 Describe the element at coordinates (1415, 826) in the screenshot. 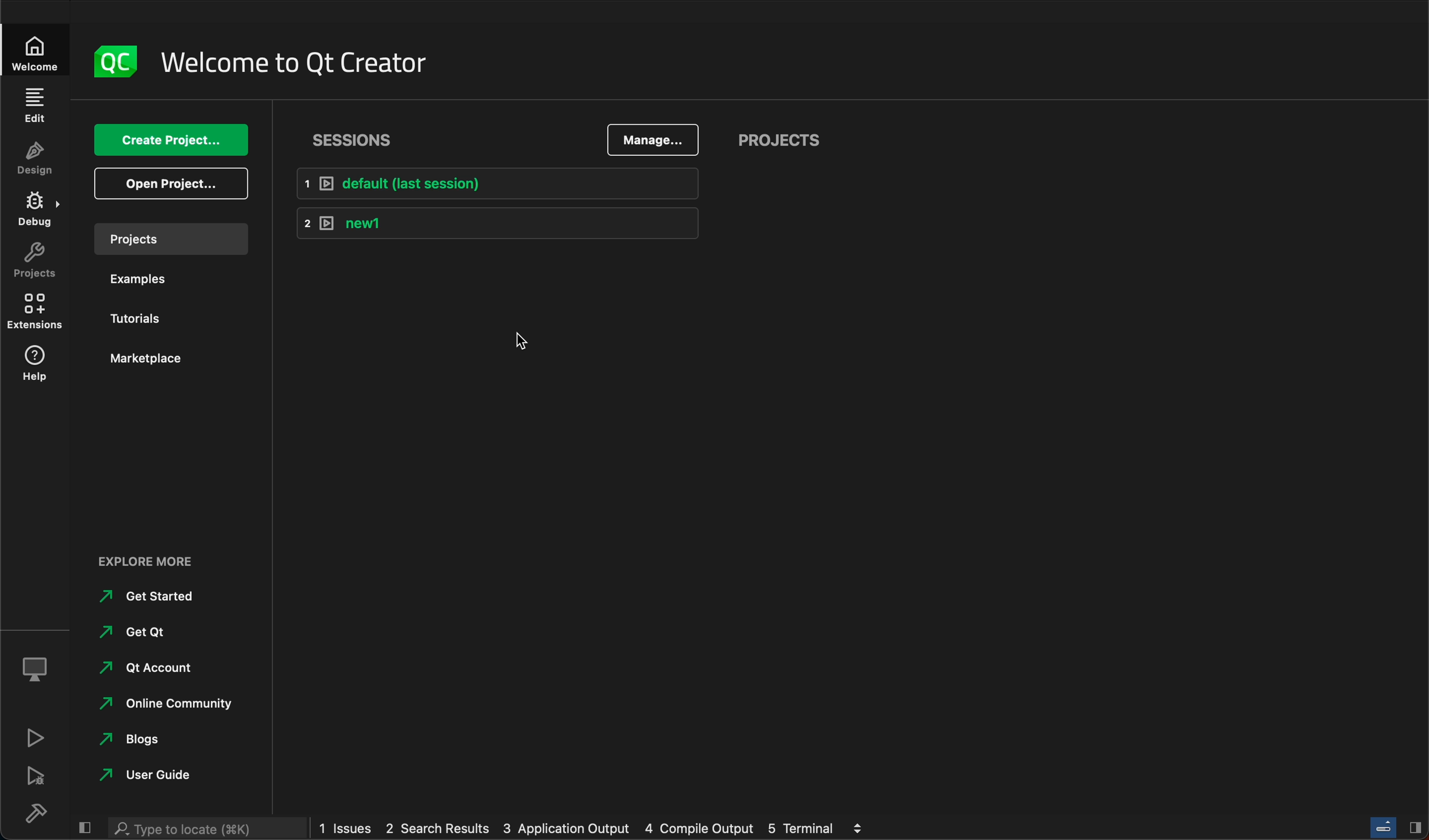

I see `hide/show right side bar` at that location.